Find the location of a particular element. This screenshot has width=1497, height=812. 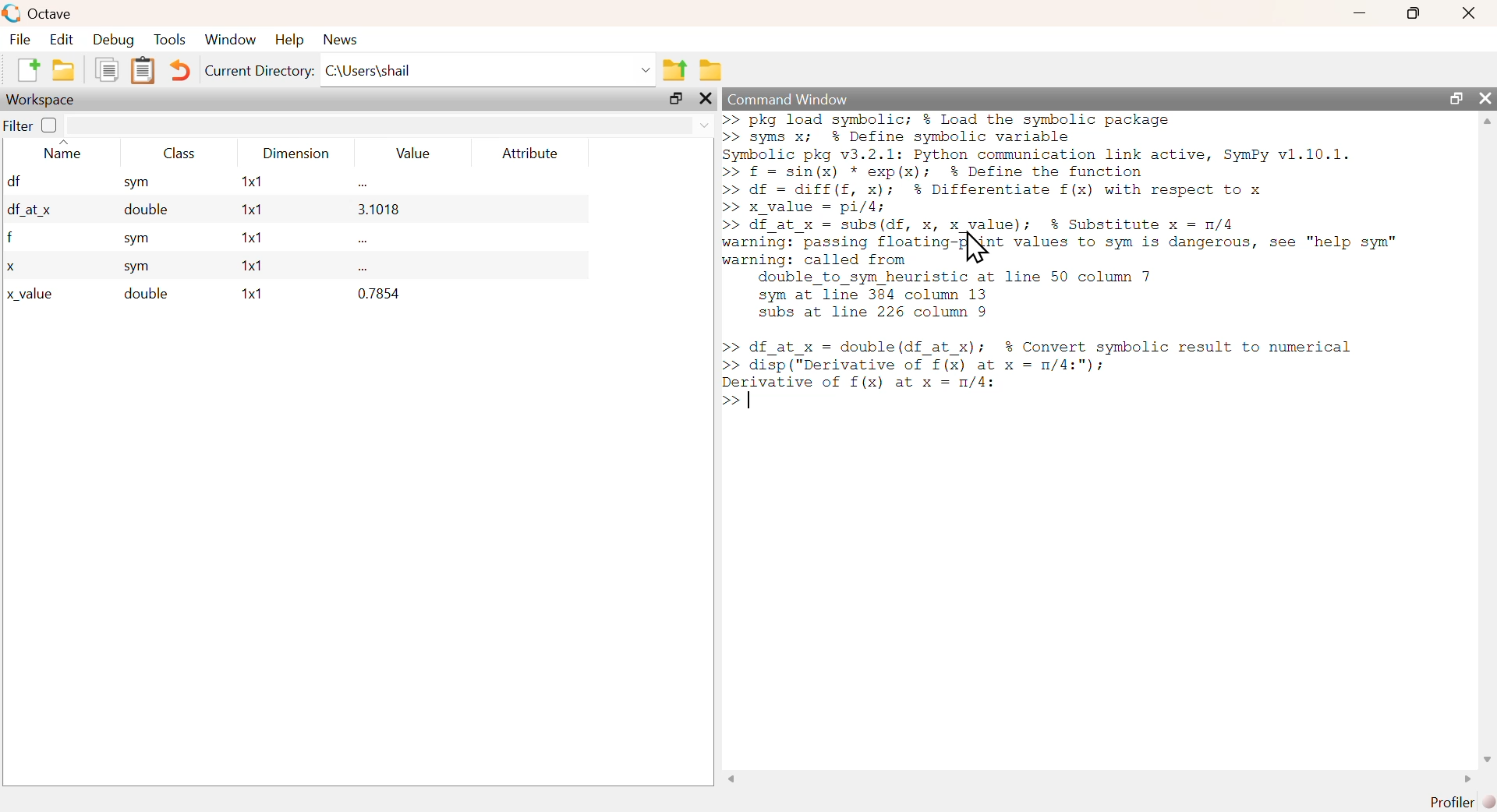

0.7854 is located at coordinates (379, 293).